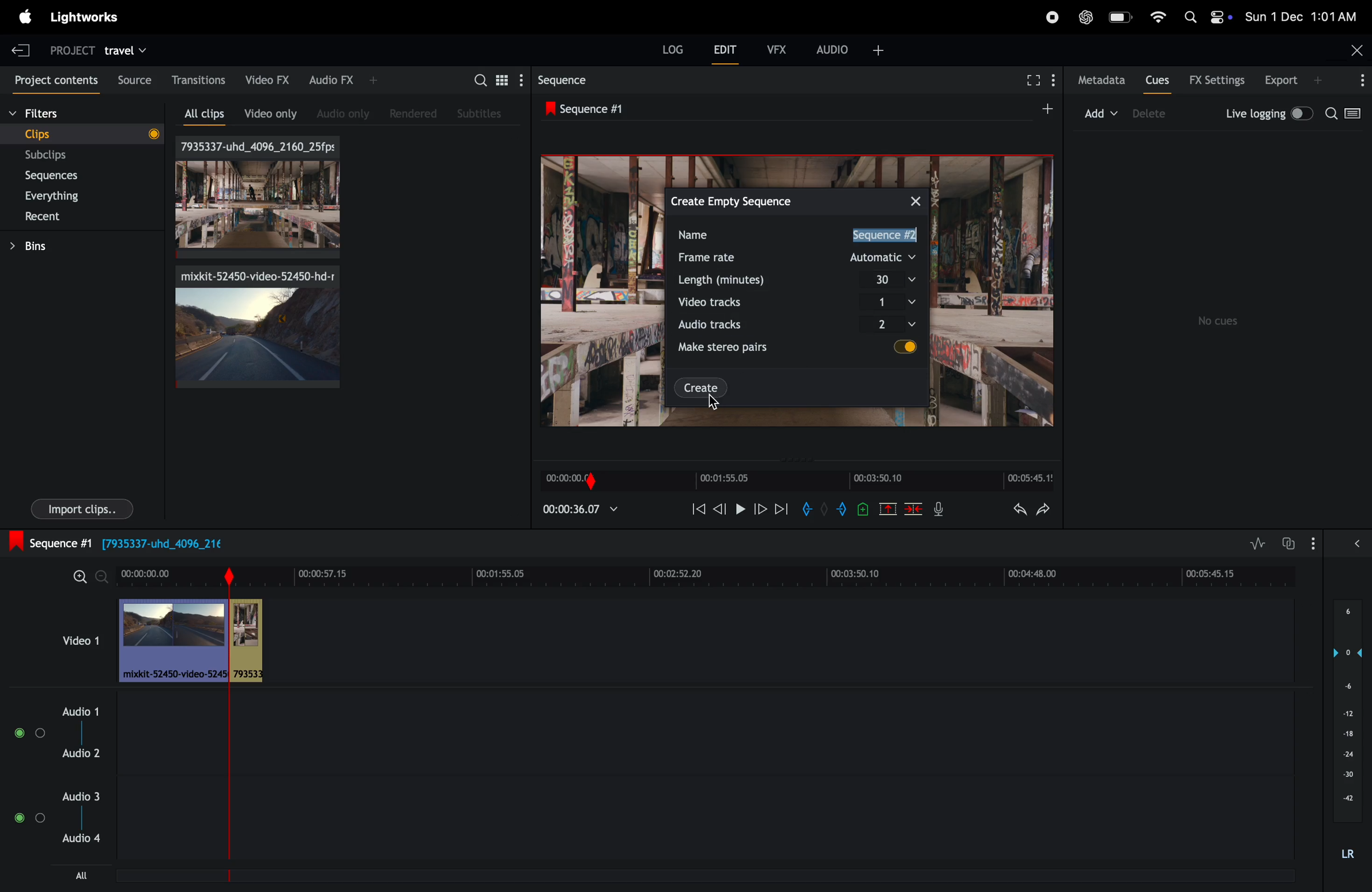 The image size is (1372, 892). I want to click on rewind, so click(698, 511).